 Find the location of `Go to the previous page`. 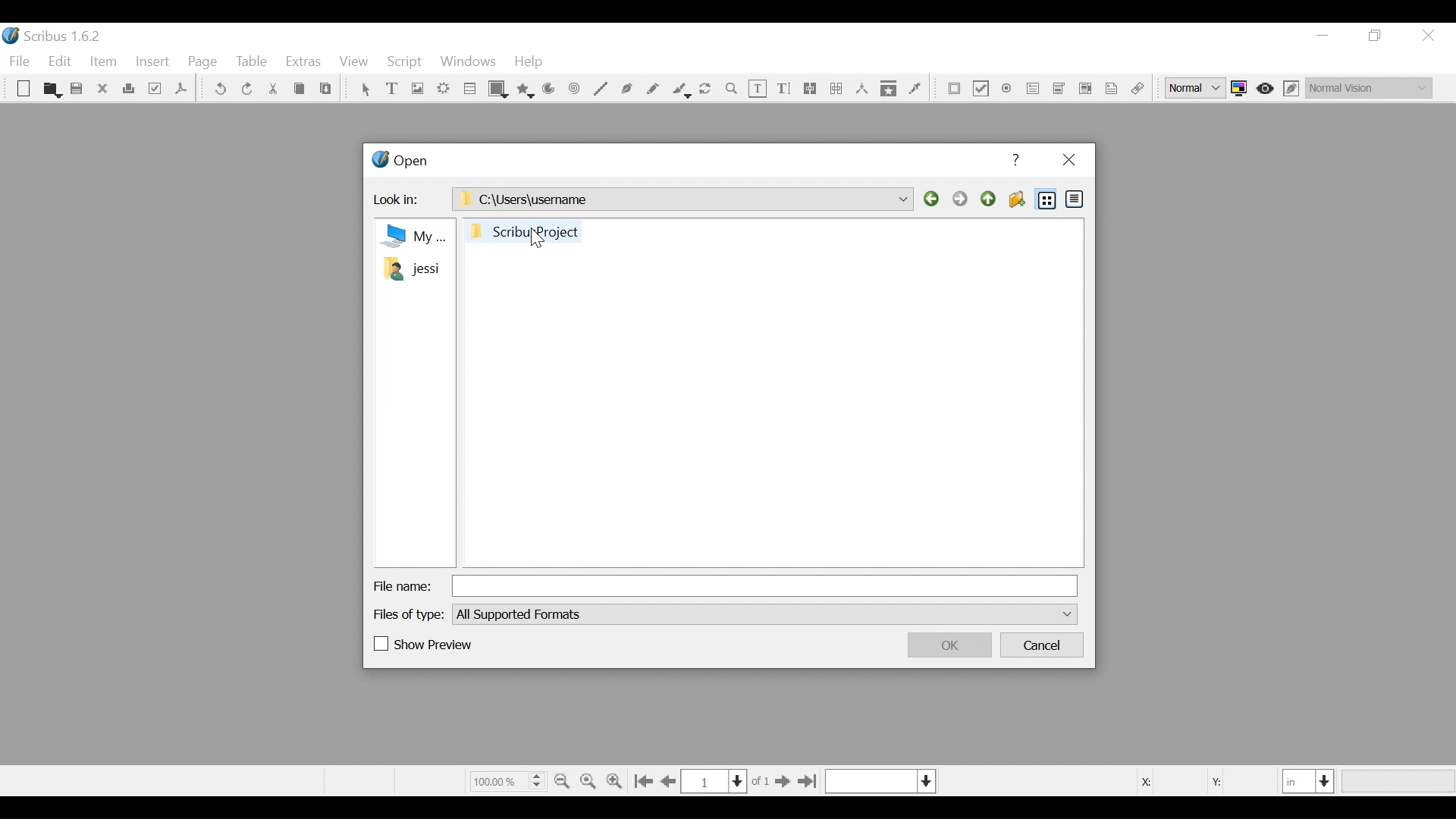

Go to the previous page is located at coordinates (671, 782).